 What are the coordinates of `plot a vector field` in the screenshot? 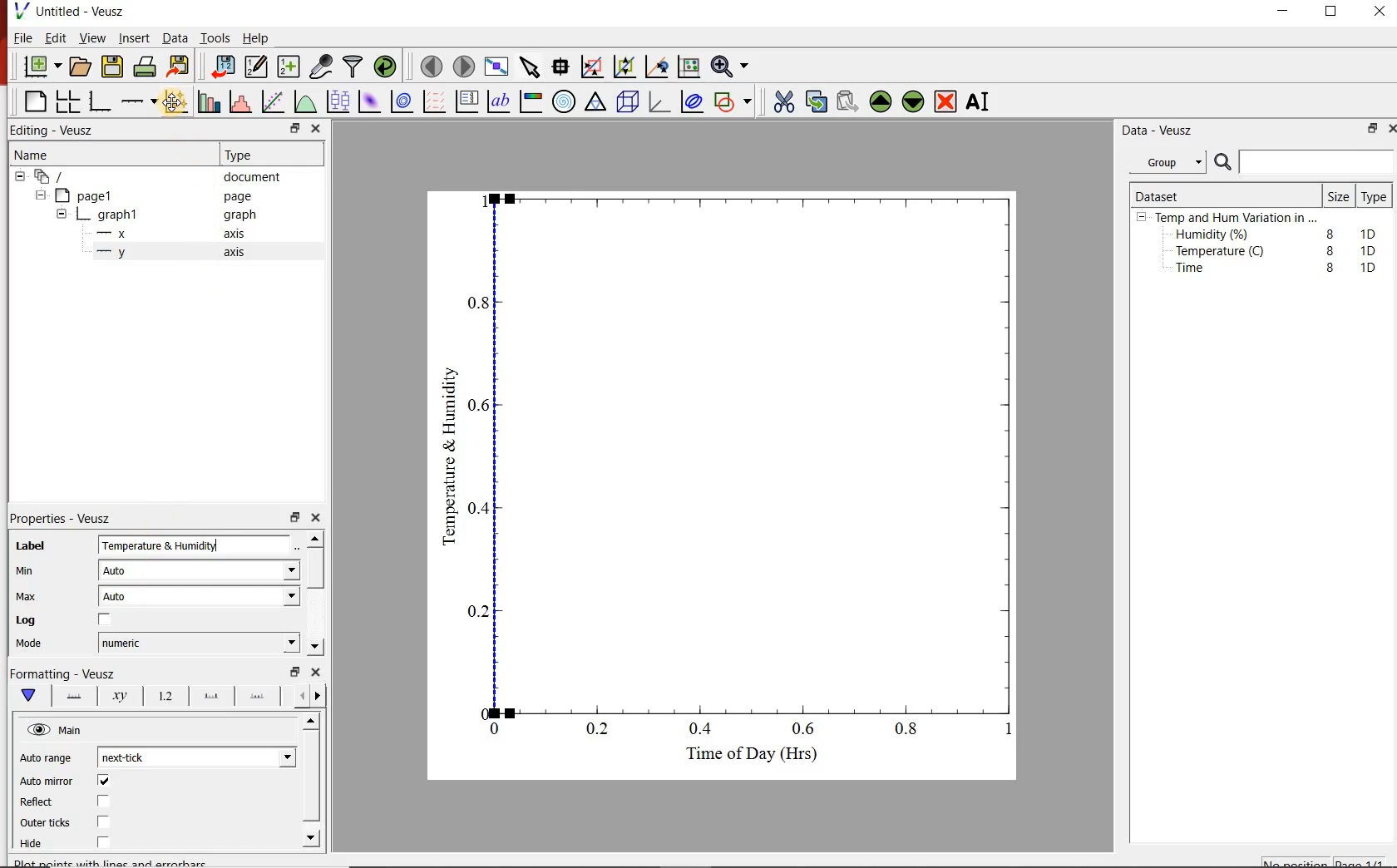 It's located at (435, 101).